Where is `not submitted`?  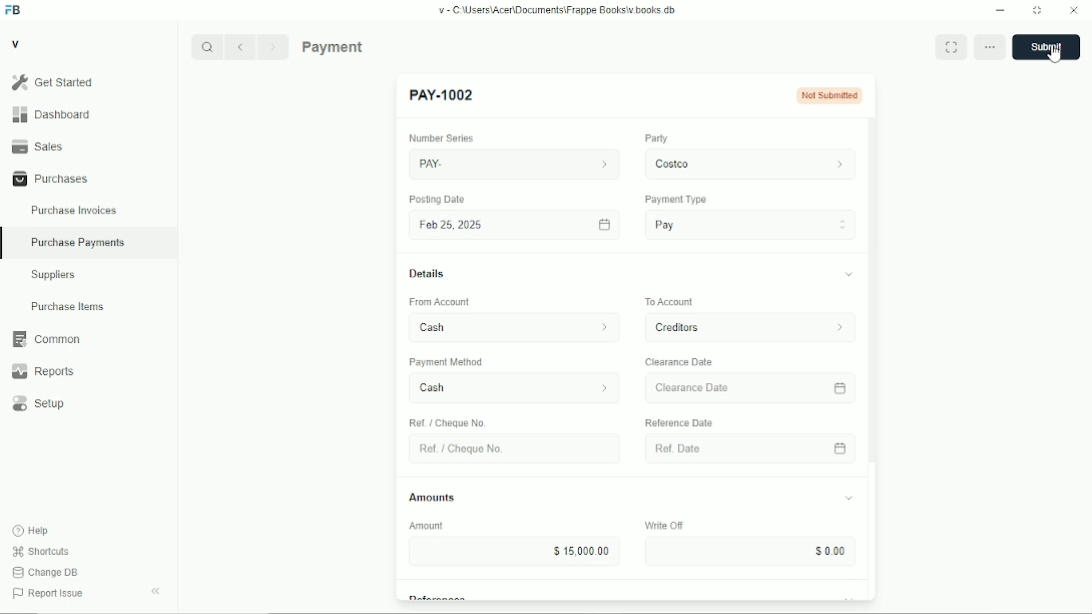 not submitted is located at coordinates (828, 96).